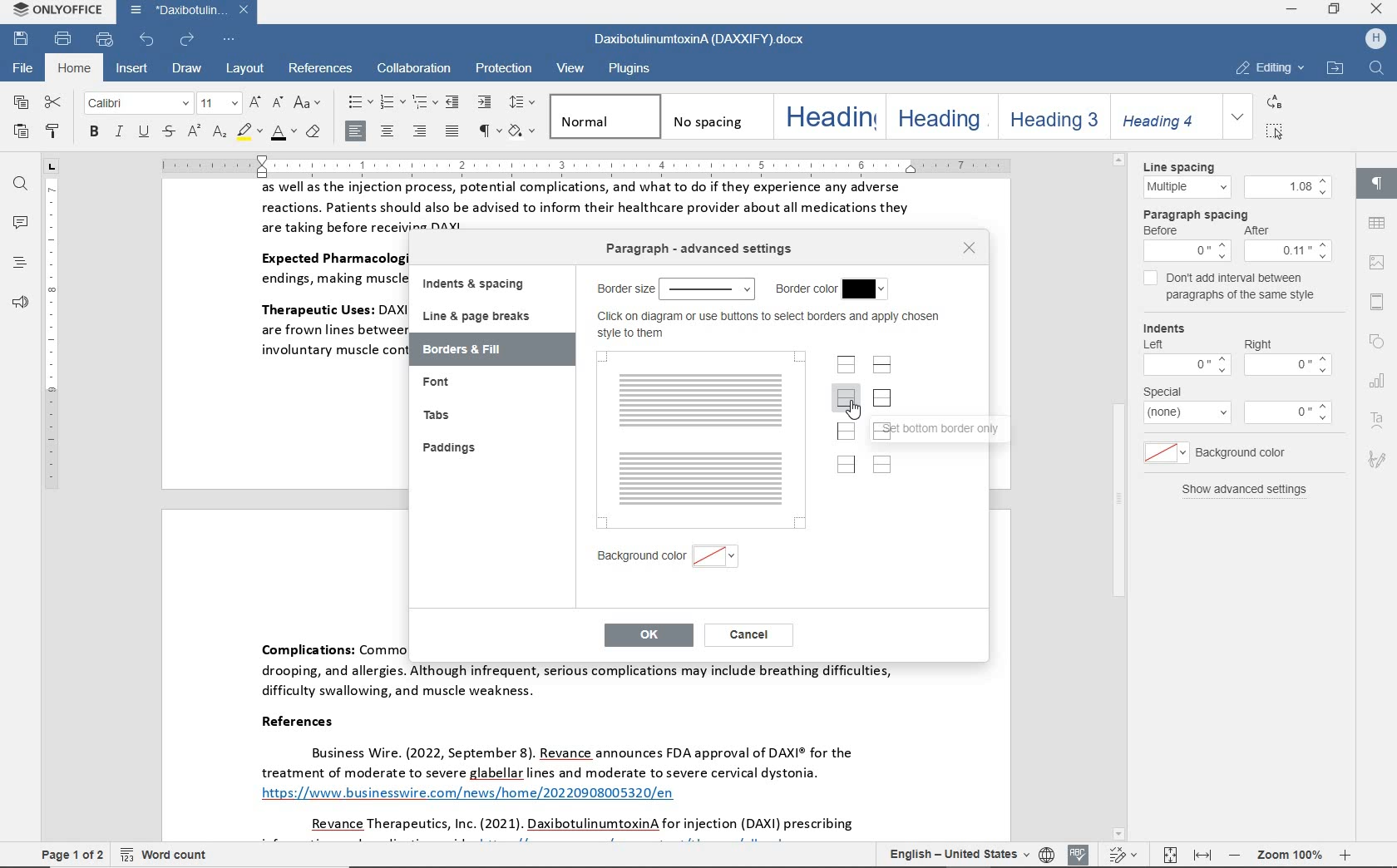  Describe the element at coordinates (524, 132) in the screenshot. I see `shading` at that location.